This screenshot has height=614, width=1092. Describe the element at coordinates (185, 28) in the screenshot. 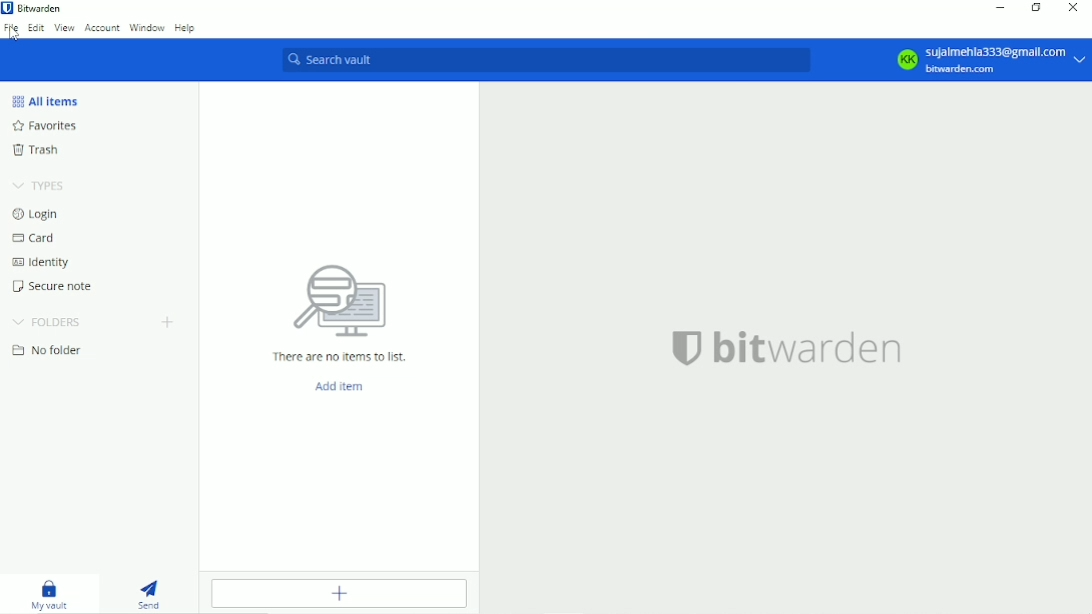

I see `Help` at that location.